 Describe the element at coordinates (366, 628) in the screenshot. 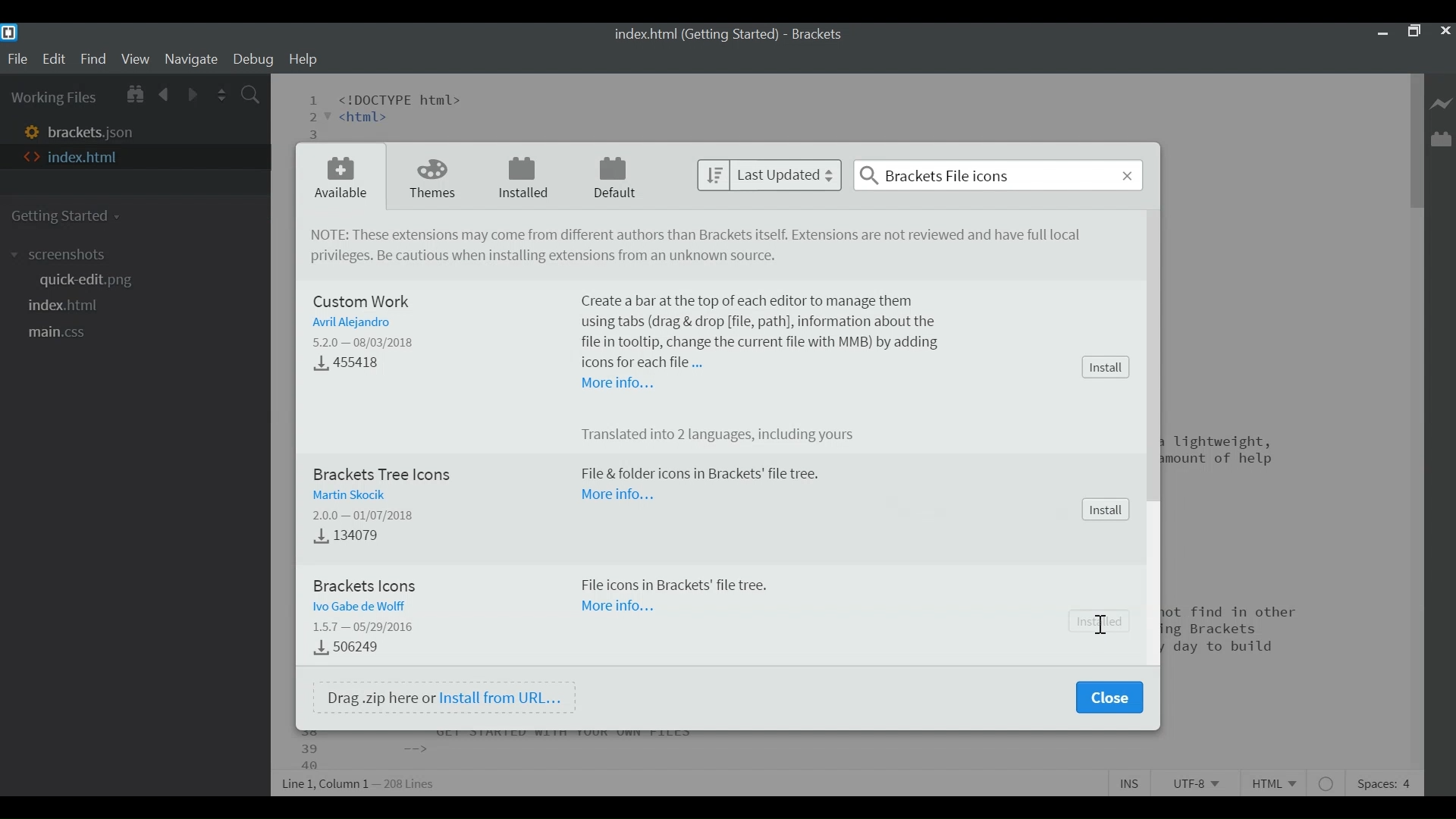

I see `Version - Release Date` at that location.